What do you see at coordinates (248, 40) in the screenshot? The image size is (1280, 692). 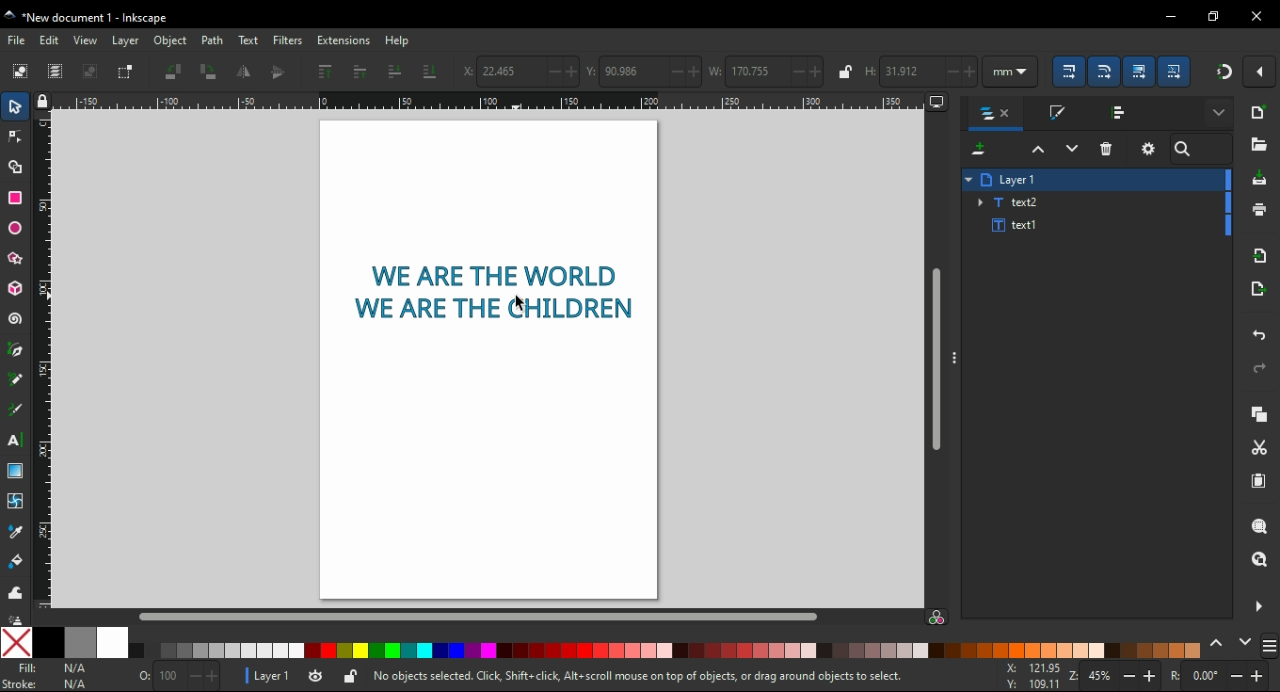 I see `text` at bounding box center [248, 40].